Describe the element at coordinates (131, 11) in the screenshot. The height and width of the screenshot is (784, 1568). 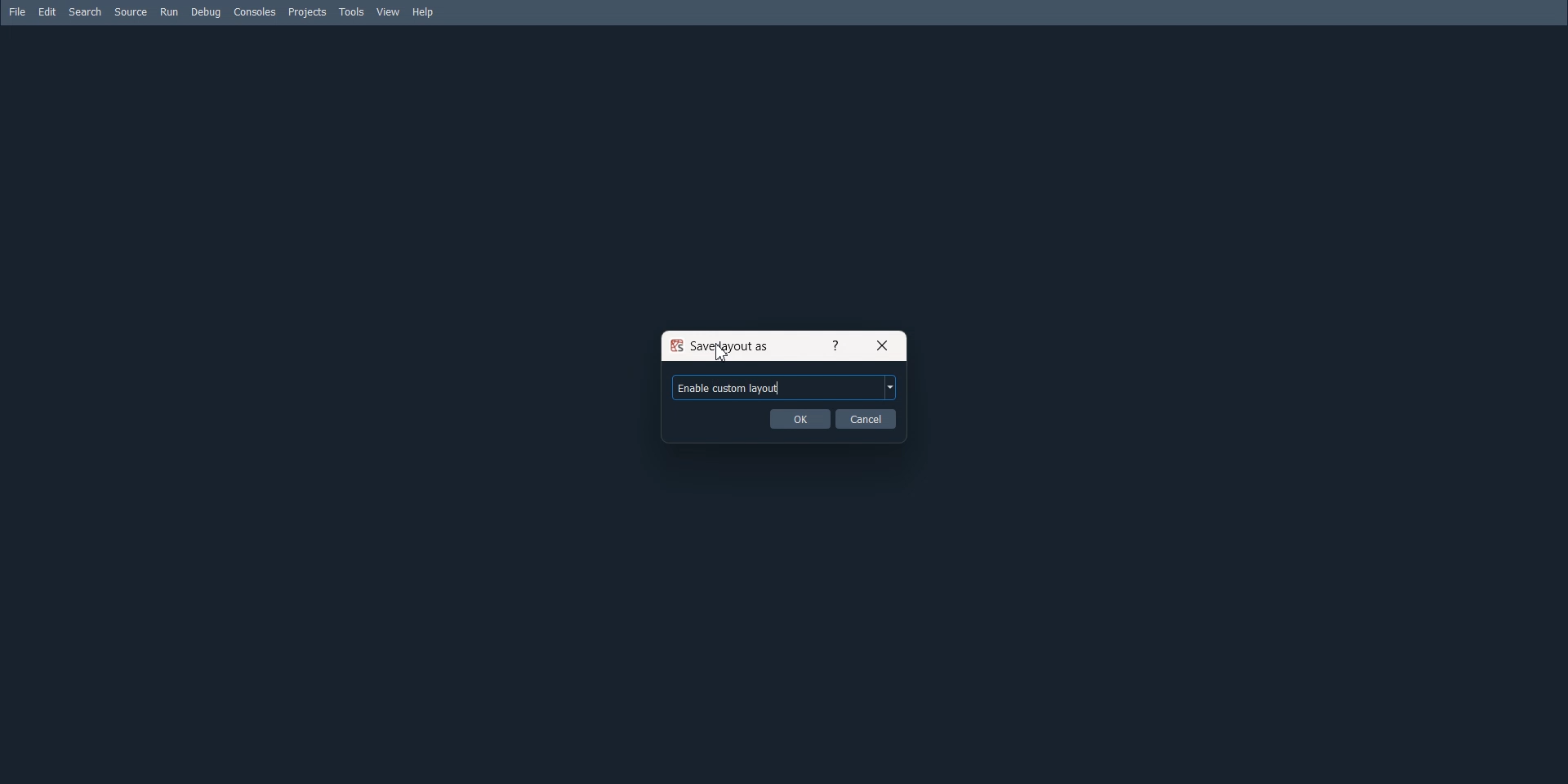
I see `Source` at that location.